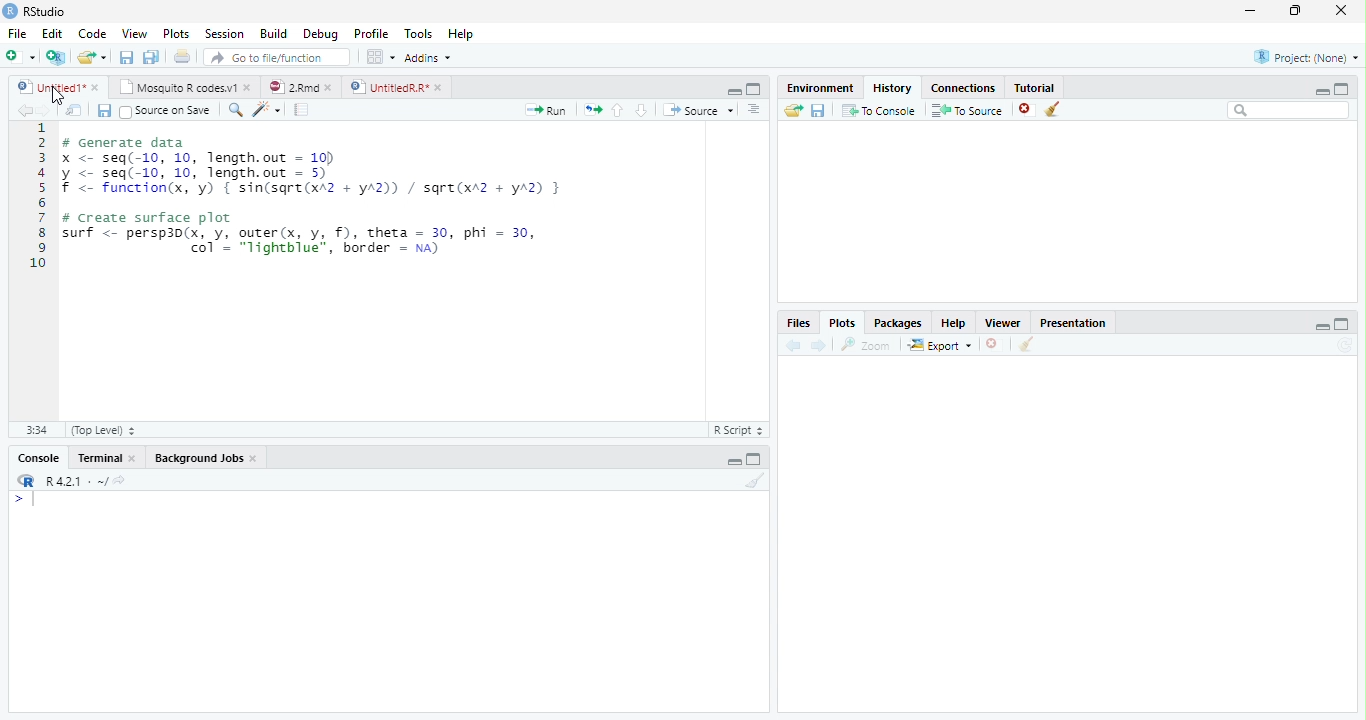  Describe the element at coordinates (133, 458) in the screenshot. I see `Close` at that location.